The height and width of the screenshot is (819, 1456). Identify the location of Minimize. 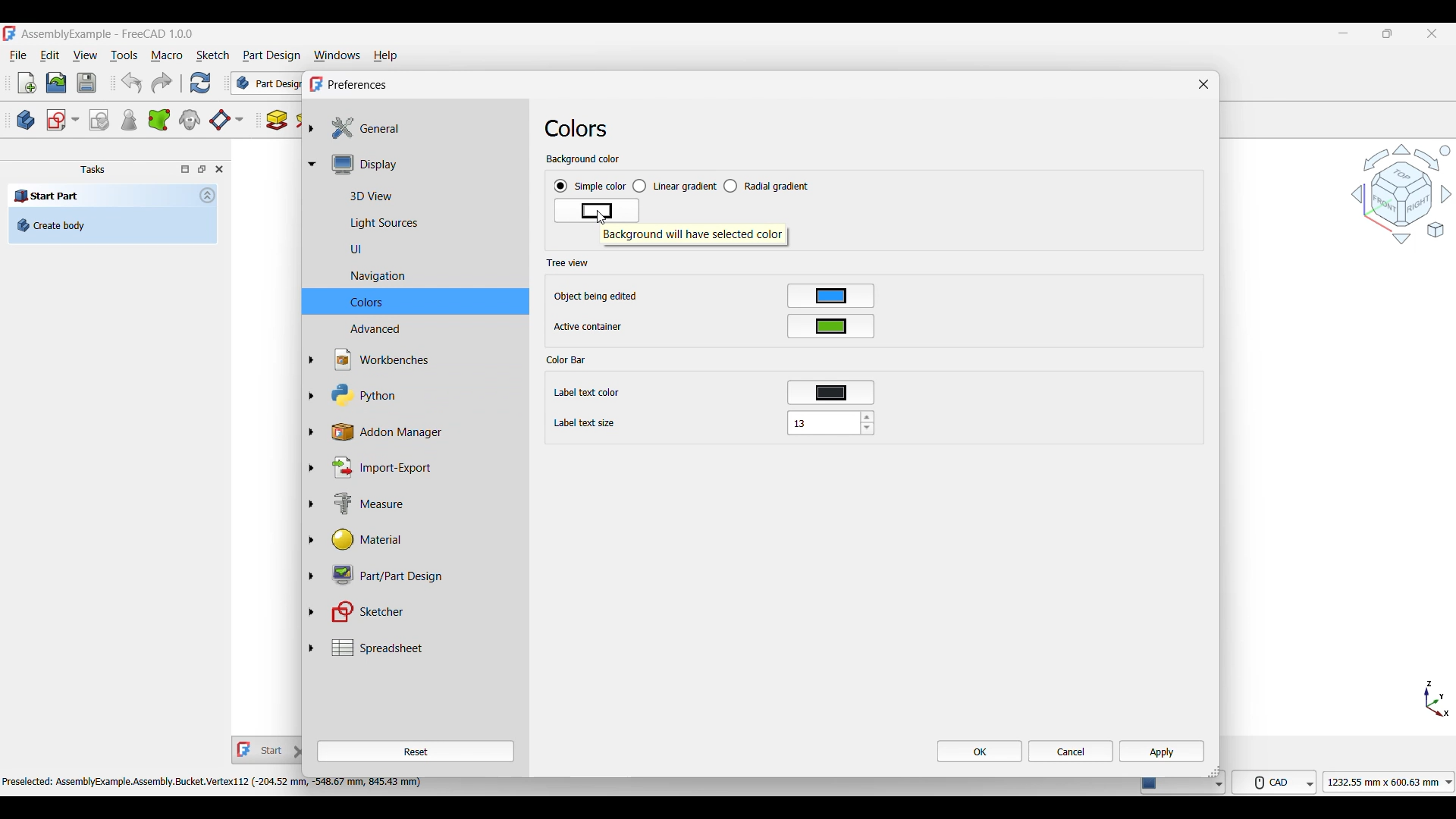
(1343, 33).